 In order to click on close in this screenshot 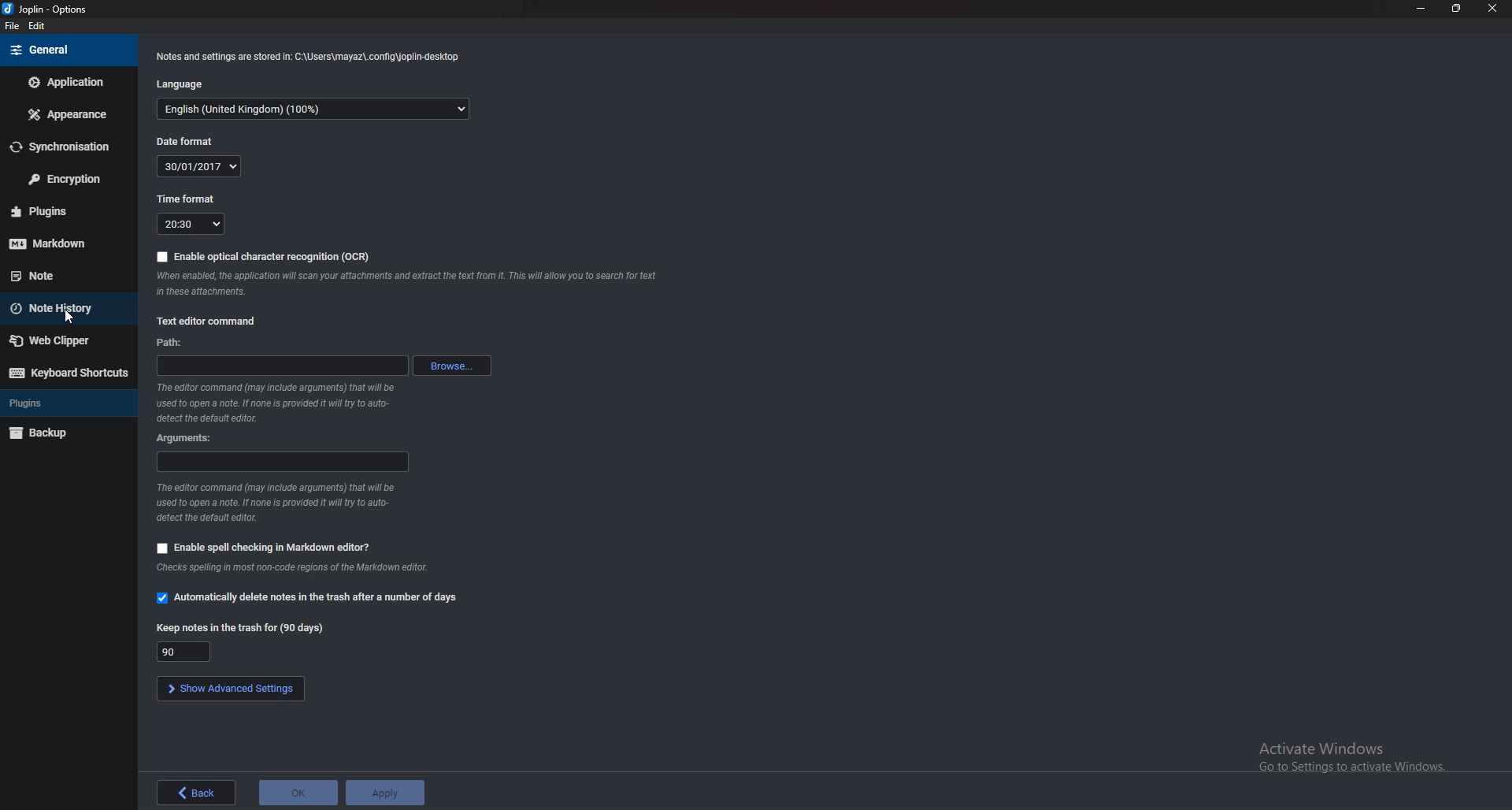, I will do `click(1495, 9)`.